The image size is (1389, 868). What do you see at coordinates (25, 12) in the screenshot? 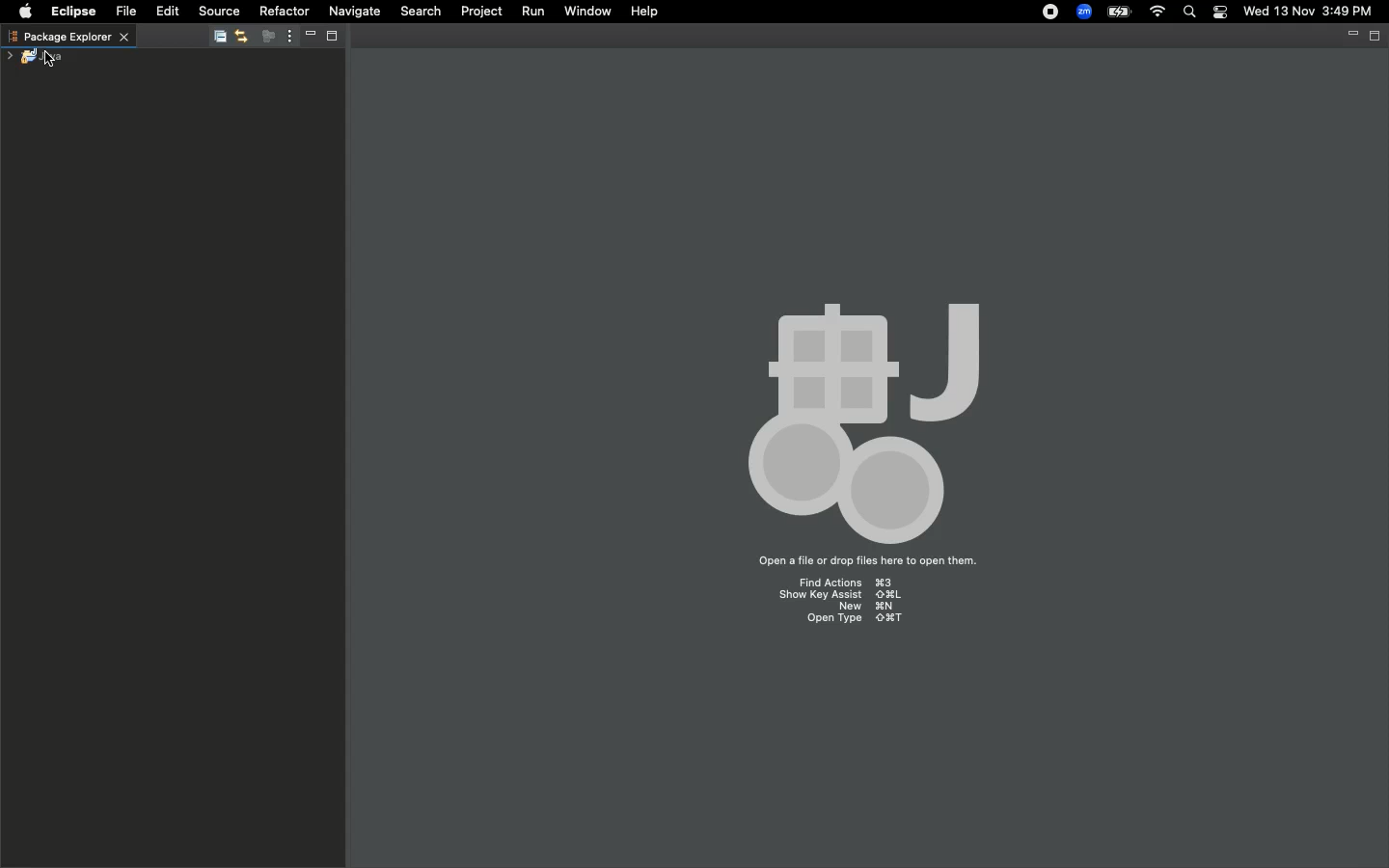
I see `Apple logo` at bounding box center [25, 12].